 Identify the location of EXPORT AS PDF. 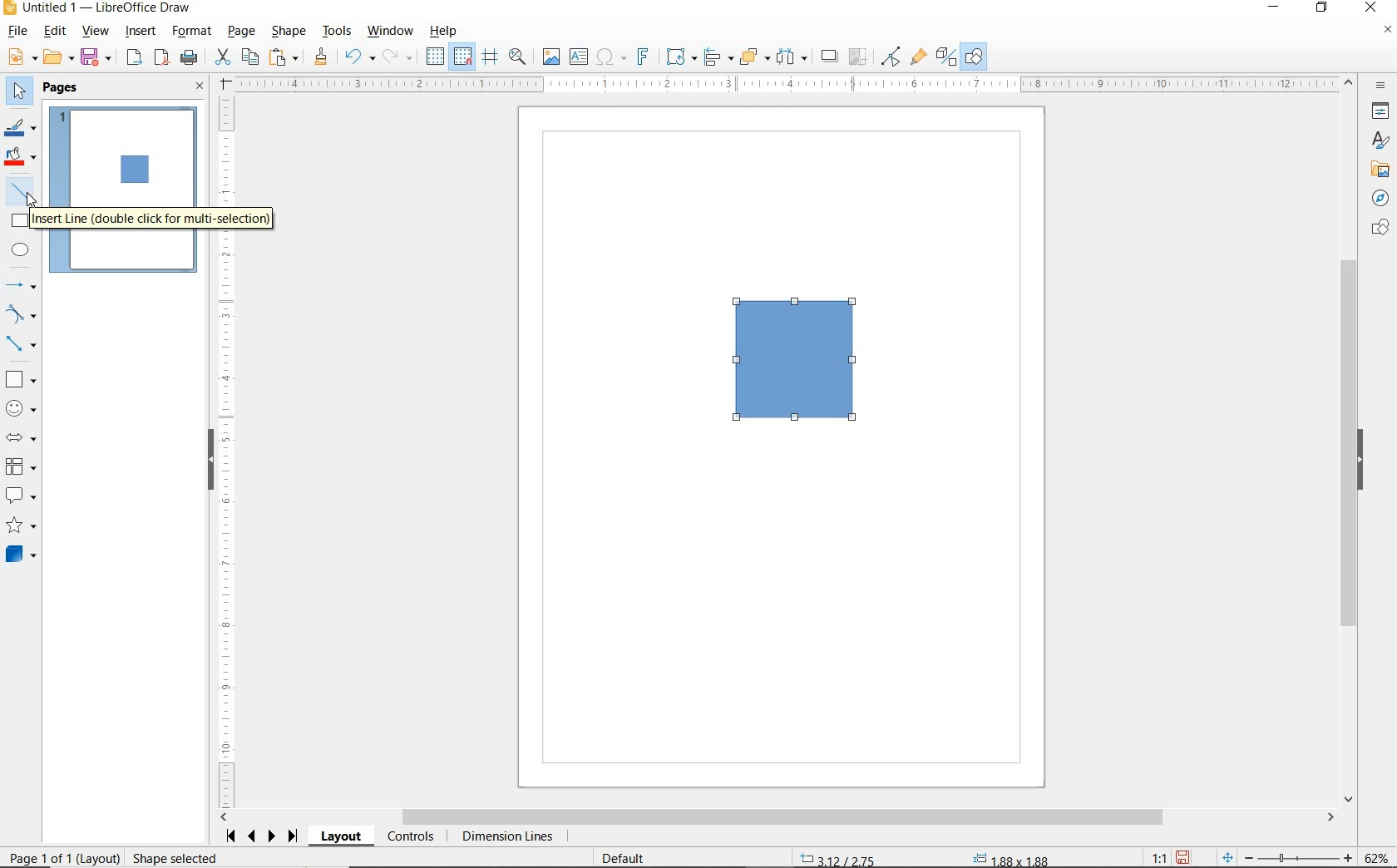
(163, 59).